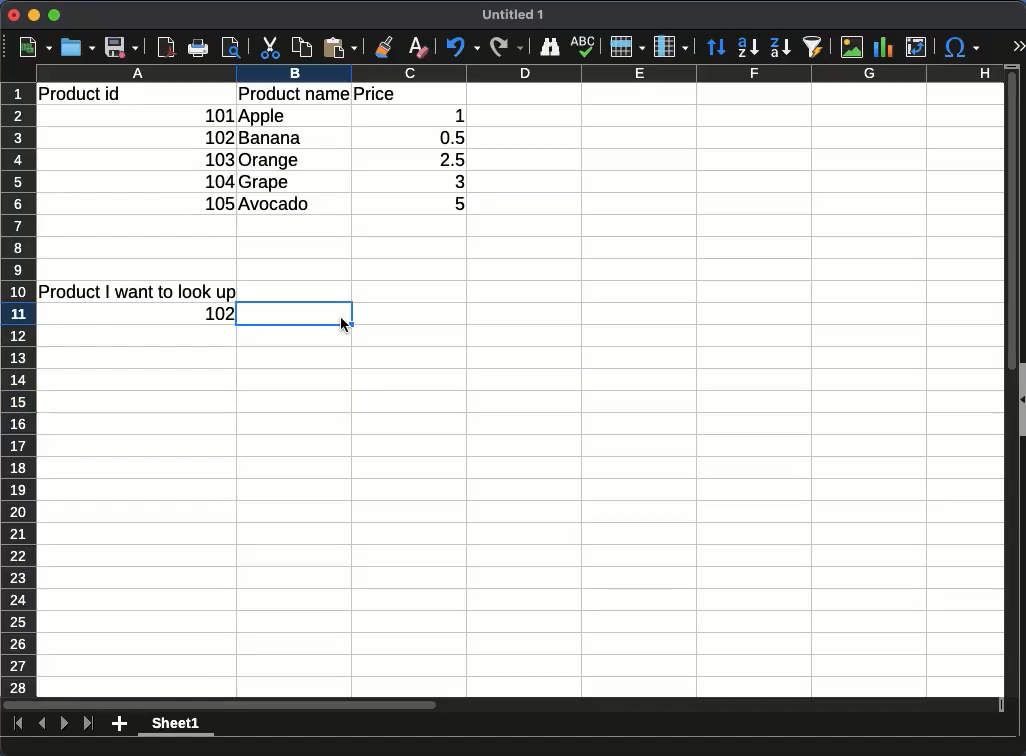 The width and height of the screenshot is (1026, 756). Describe the element at coordinates (271, 161) in the screenshot. I see `orange` at that location.